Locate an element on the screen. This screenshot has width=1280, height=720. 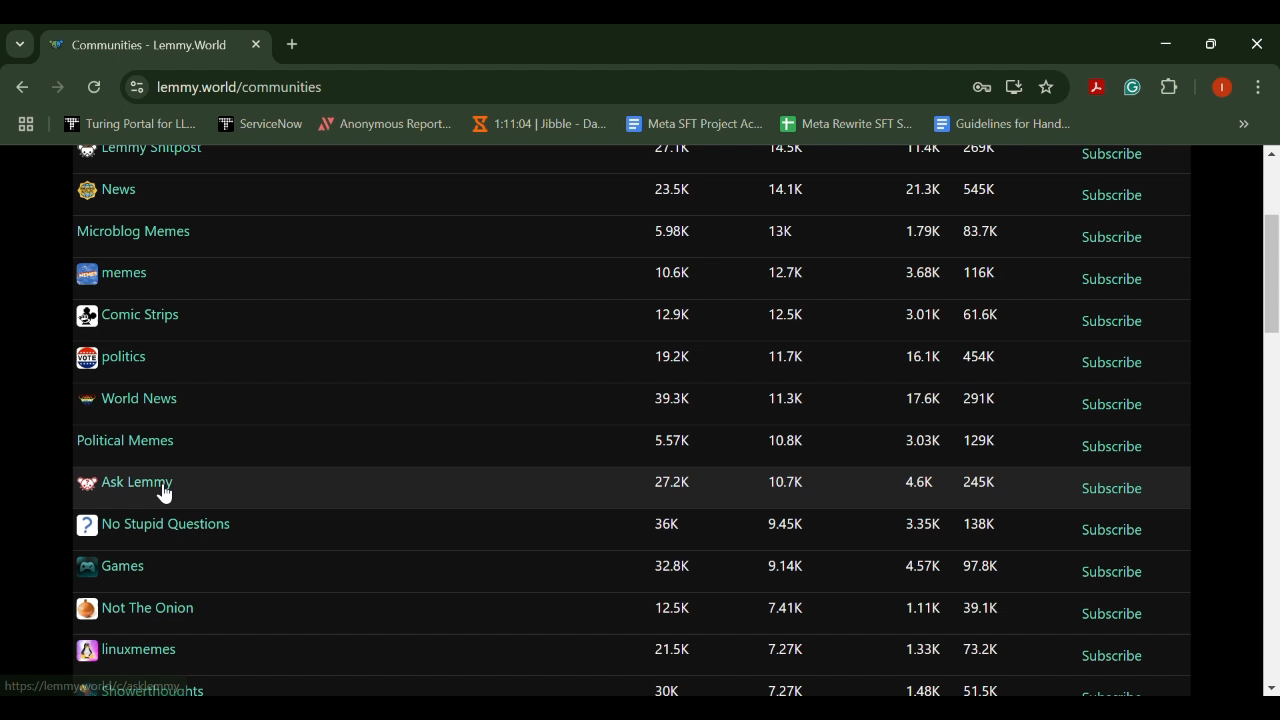
Tab Groups is located at coordinates (23, 125).